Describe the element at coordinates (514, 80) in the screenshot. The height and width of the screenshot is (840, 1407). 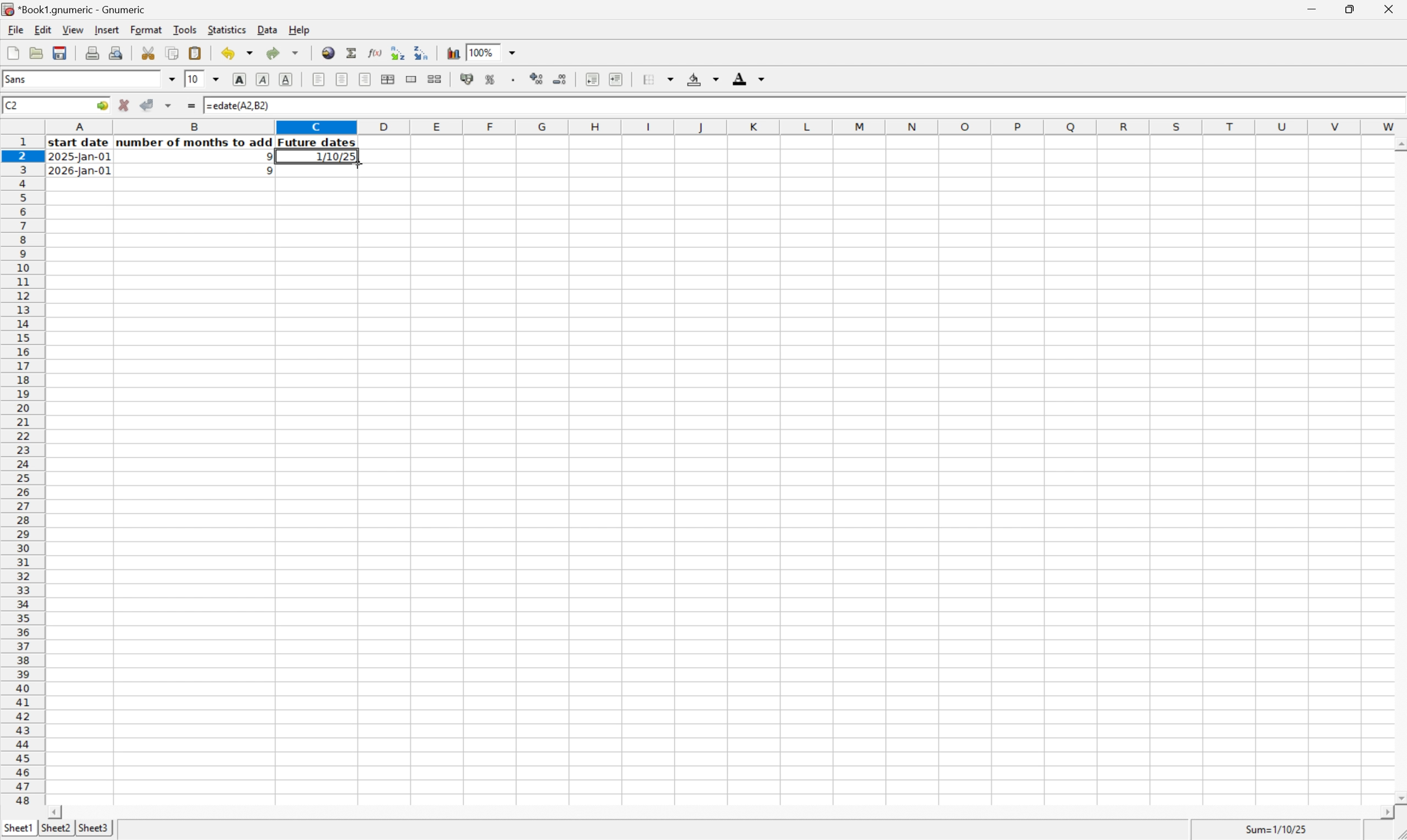
I see `Set the format of the selected cells to include a thousands separator` at that location.